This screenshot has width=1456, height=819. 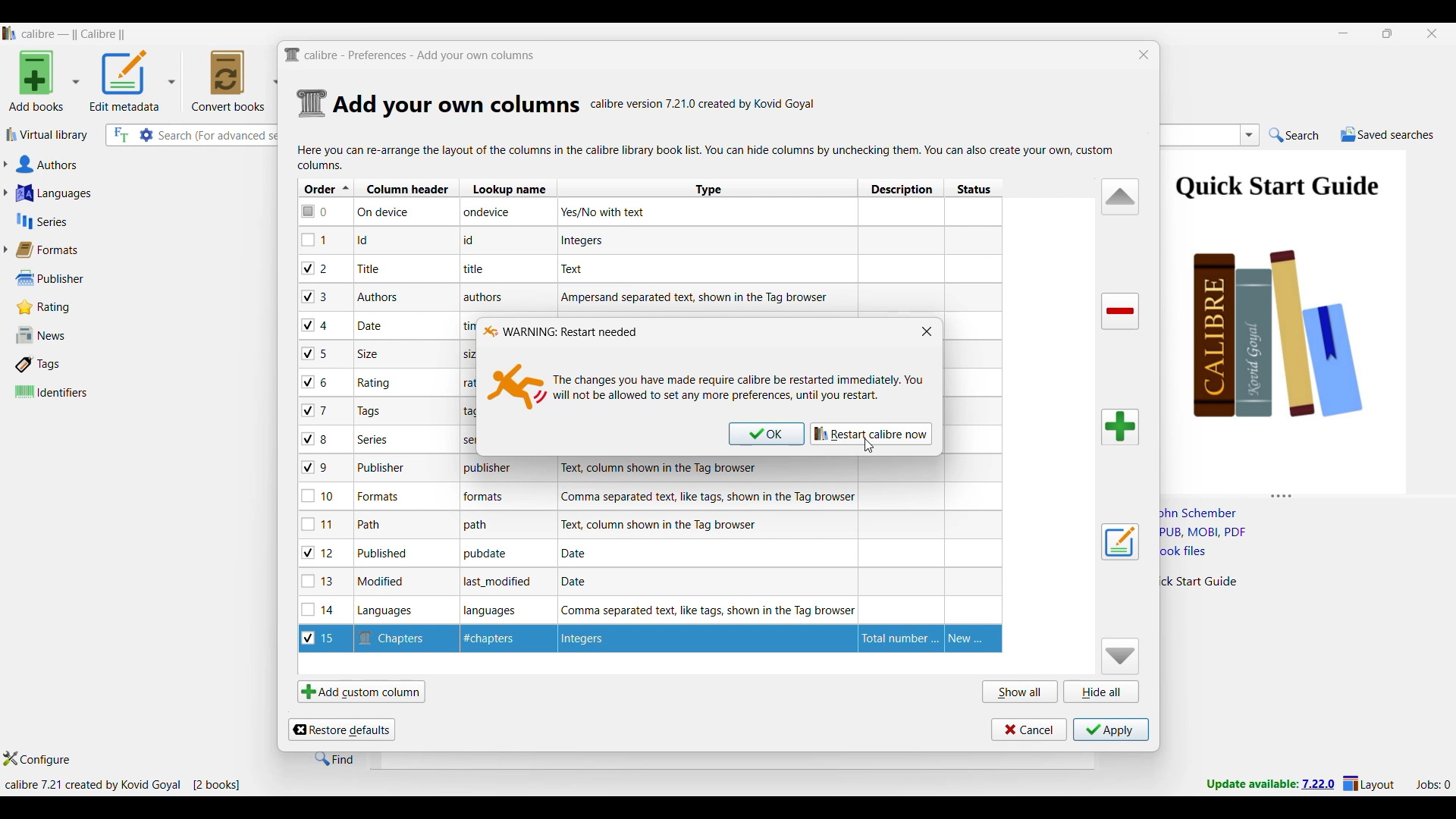 What do you see at coordinates (133, 80) in the screenshot?
I see `Options to edit metadata` at bounding box center [133, 80].